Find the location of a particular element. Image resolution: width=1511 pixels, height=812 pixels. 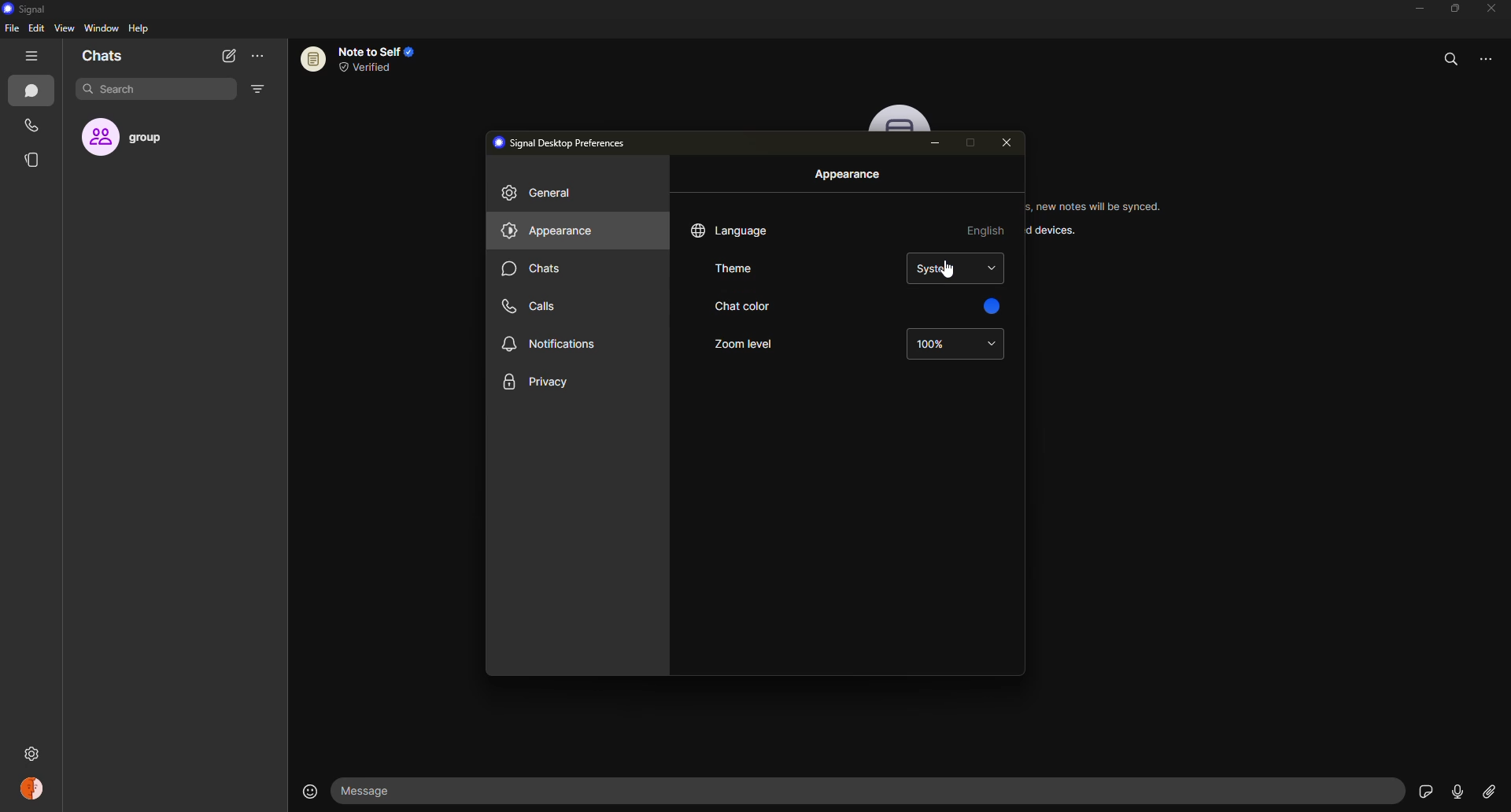

drop down is located at coordinates (992, 268).